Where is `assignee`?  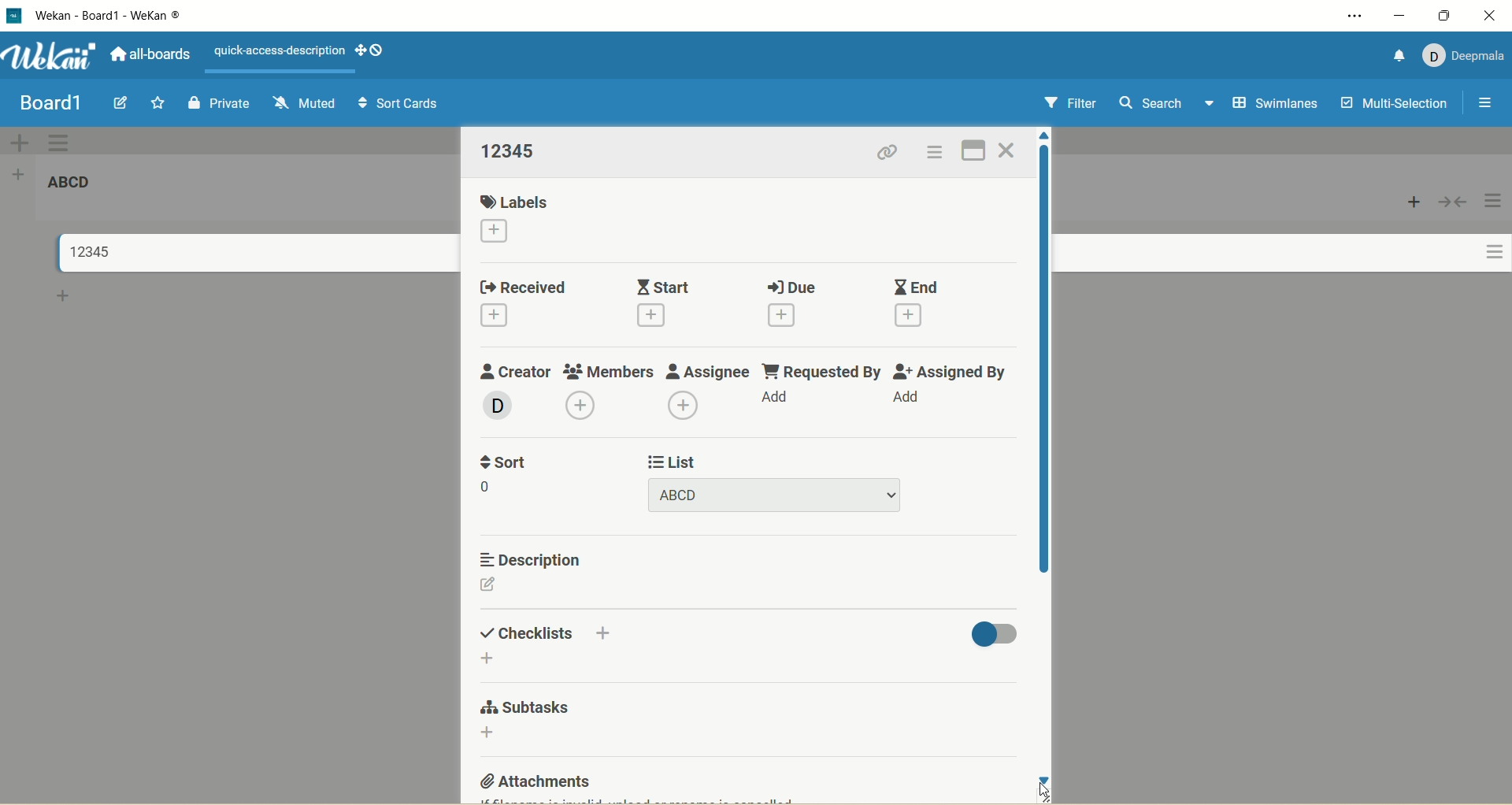
assignee is located at coordinates (707, 371).